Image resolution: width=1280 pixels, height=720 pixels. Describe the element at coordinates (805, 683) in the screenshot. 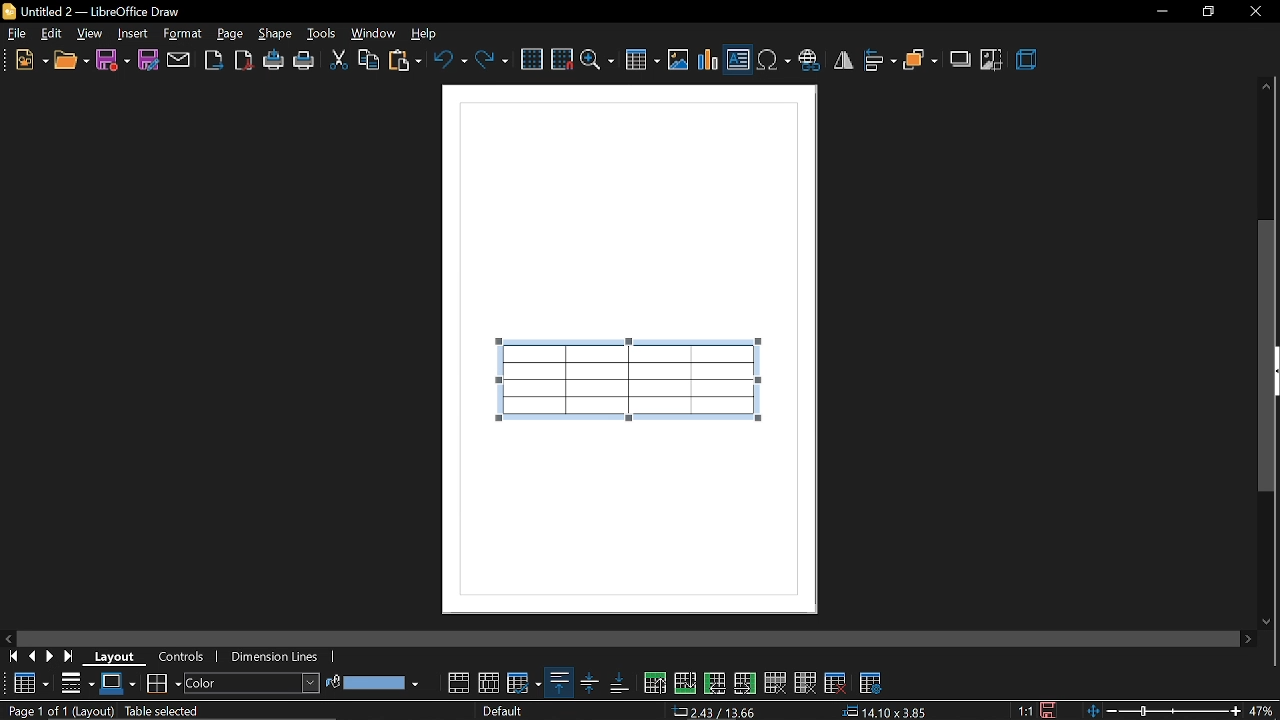

I see `delete column` at that location.